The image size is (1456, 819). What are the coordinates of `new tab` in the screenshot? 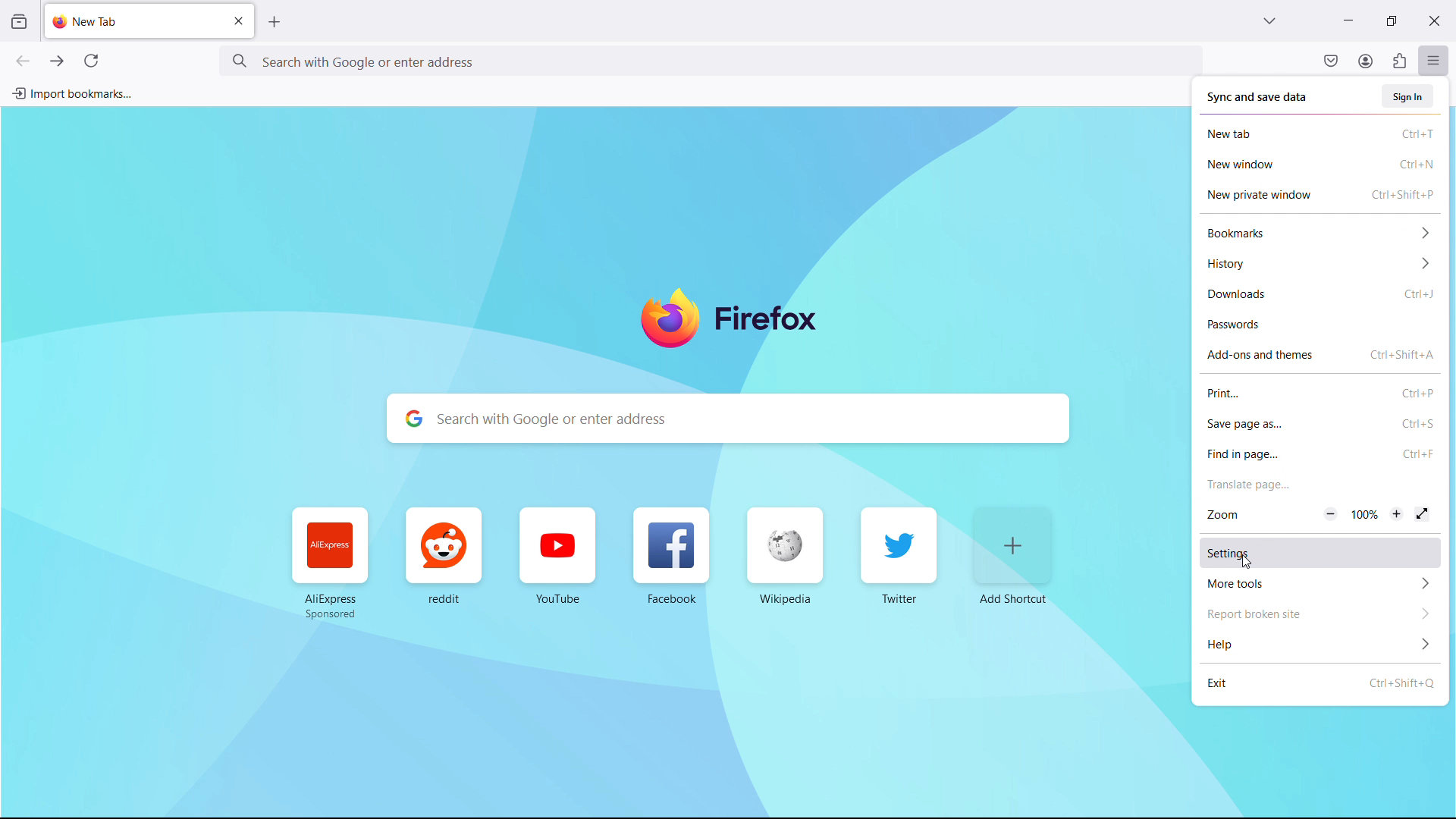 It's located at (87, 21).